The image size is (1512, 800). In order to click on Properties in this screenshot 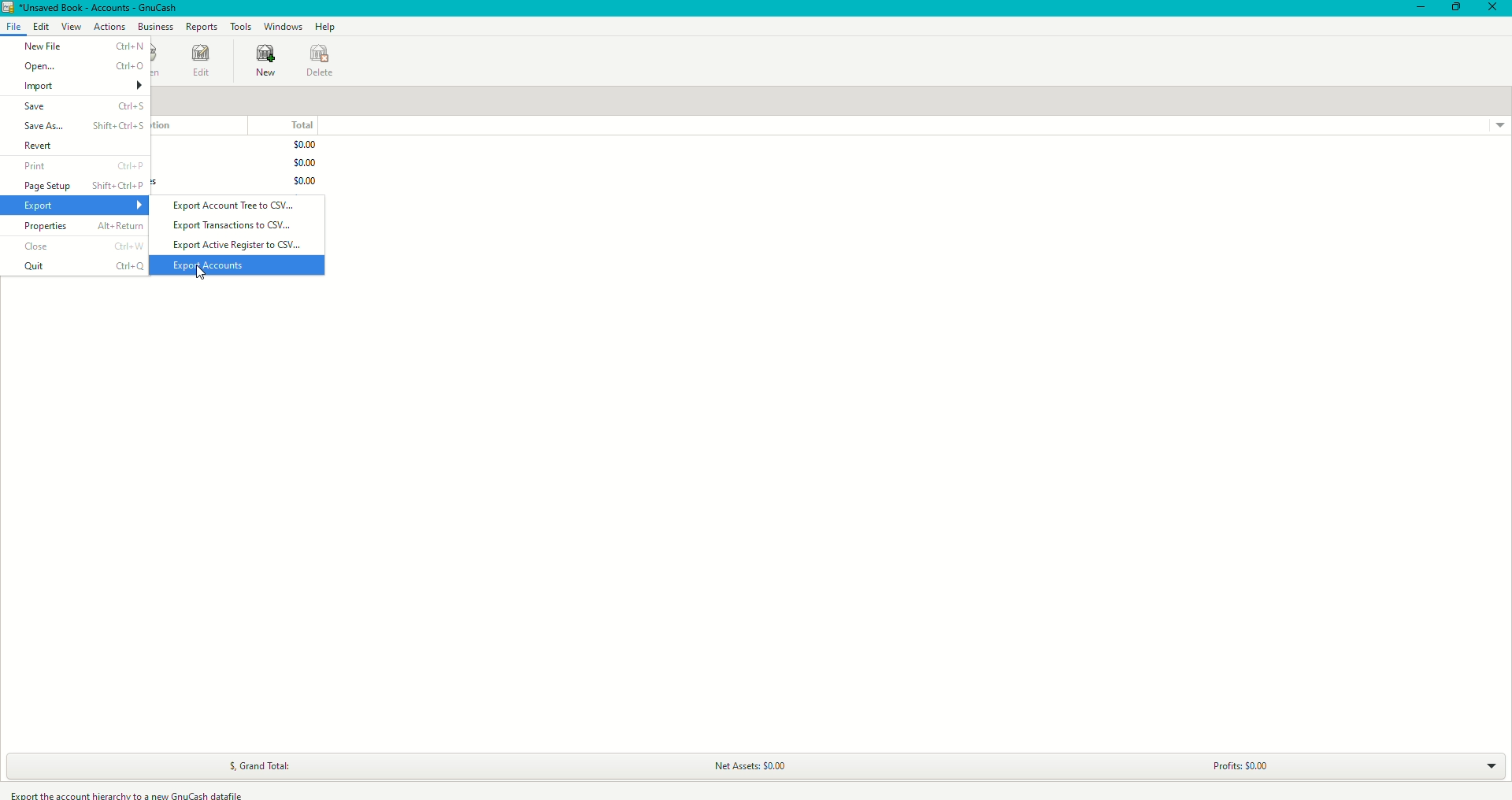, I will do `click(81, 228)`.